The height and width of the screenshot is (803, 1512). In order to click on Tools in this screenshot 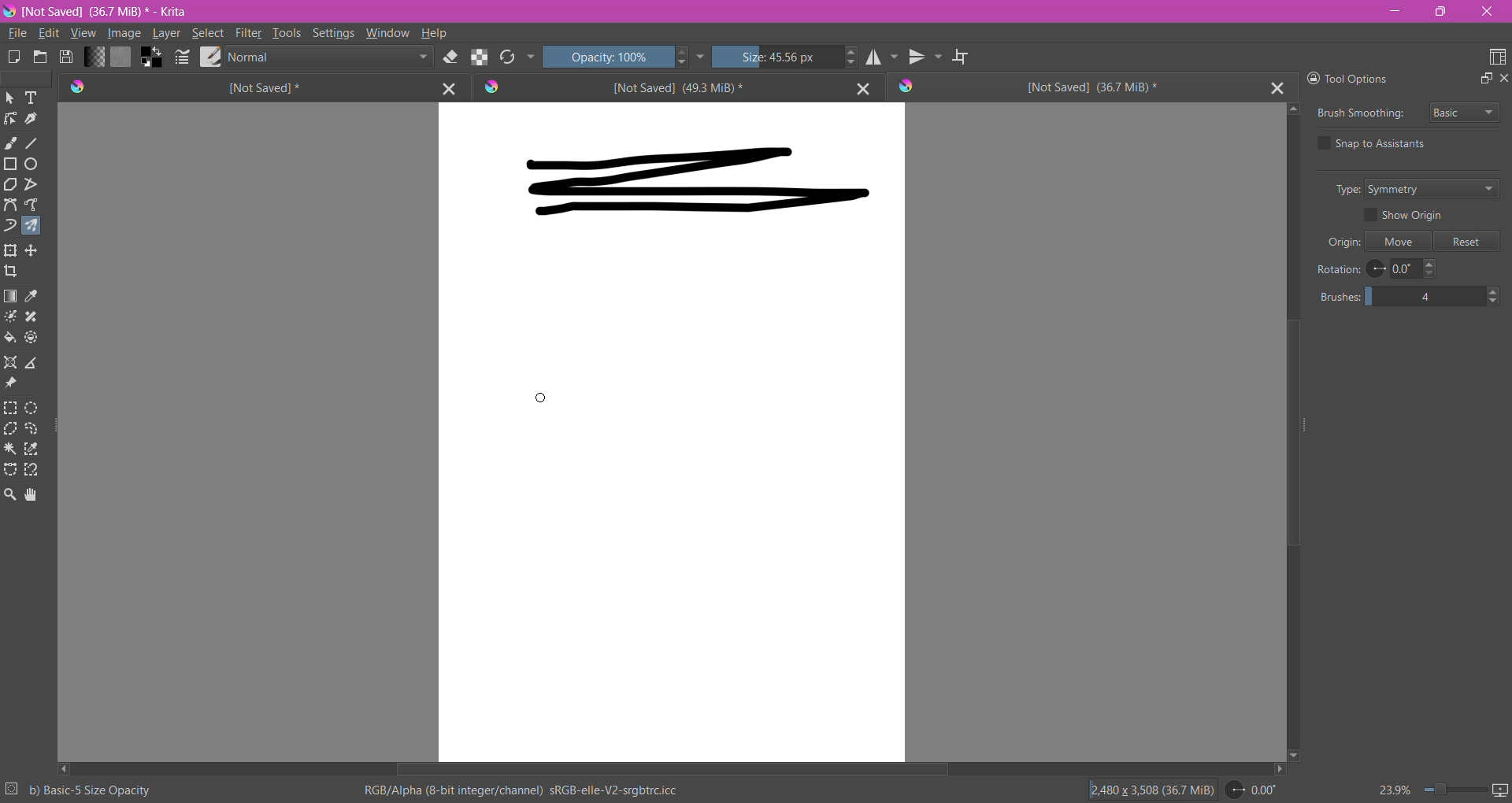, I will do `click(287, 31)`.